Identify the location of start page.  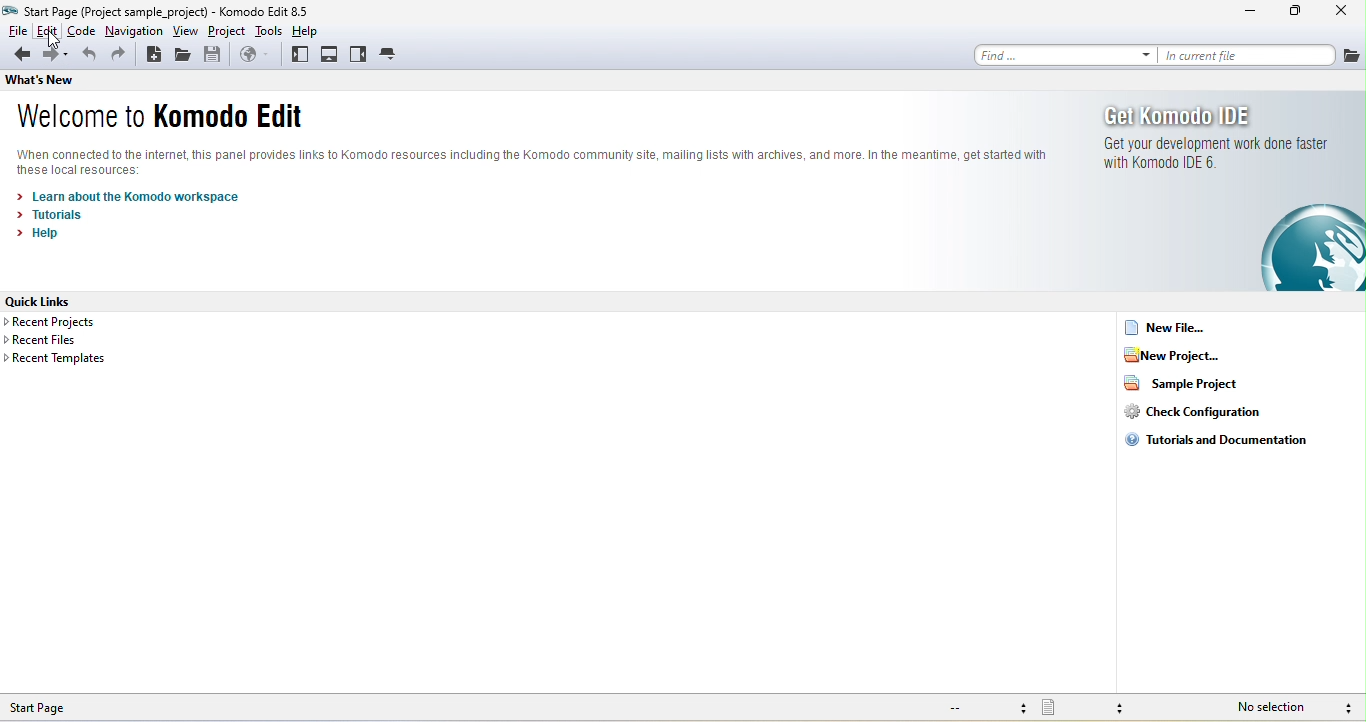
(66, 707).